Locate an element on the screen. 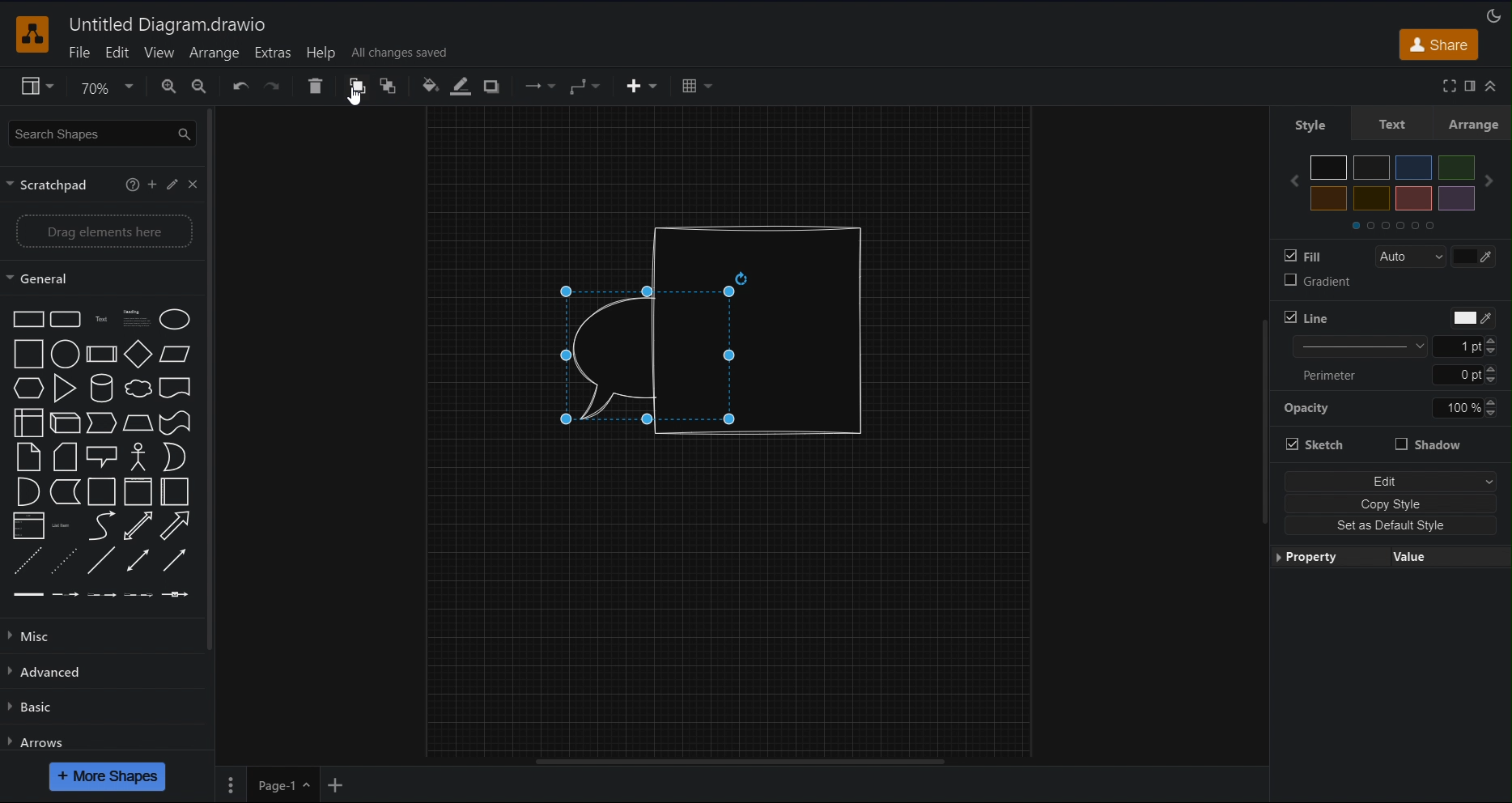 The width and height of the screenshot is (1512, 803). Rounded rectangle is located at coordinates (66, 320).